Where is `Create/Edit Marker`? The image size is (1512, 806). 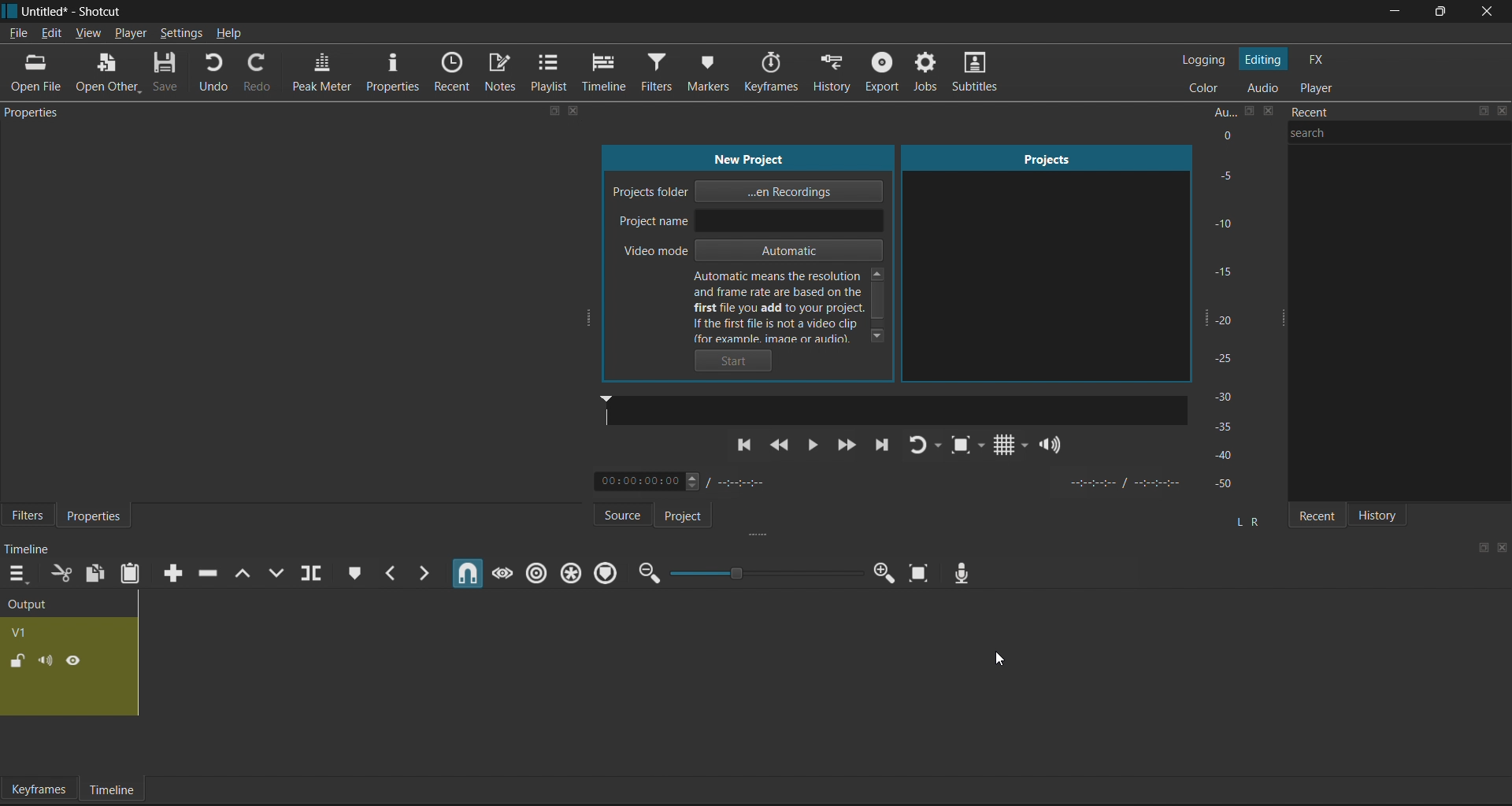 Create/Edit Marker is located at coordinates (350, 571).